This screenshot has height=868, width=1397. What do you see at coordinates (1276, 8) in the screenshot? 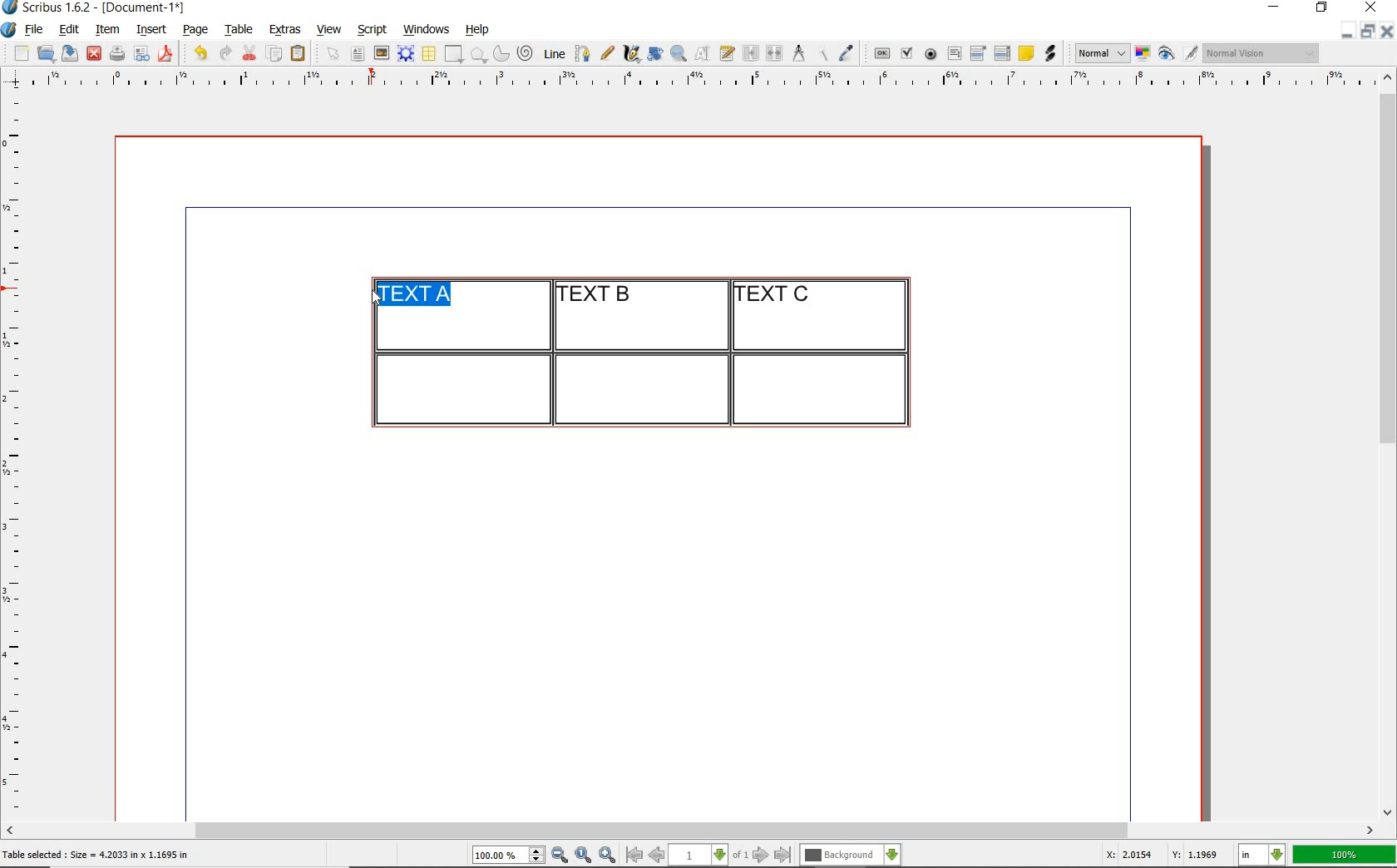
I see `minimize` at bounding box center [1276, 8].